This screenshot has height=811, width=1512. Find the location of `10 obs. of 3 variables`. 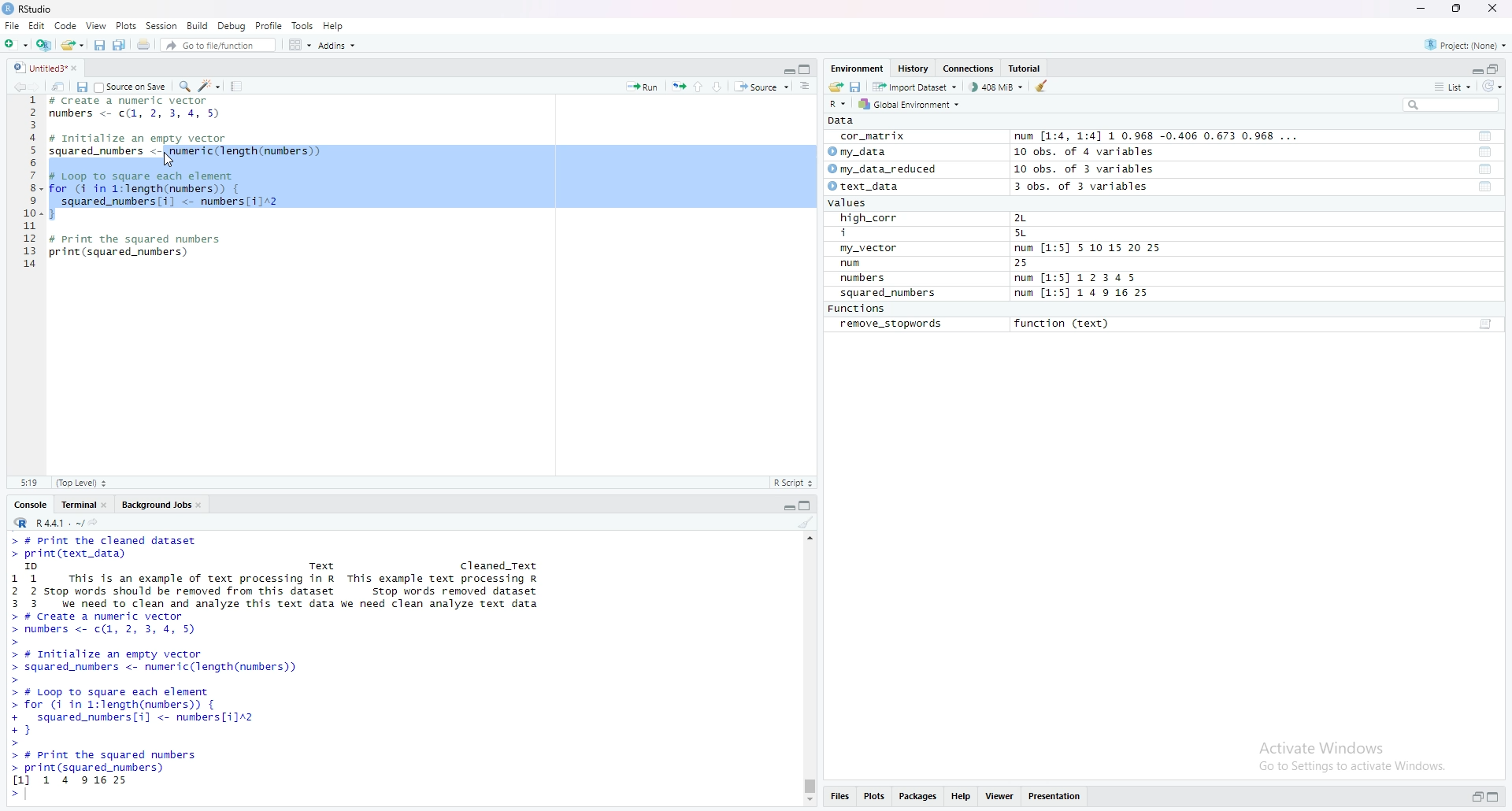

10 obs. of 3 variables is located at coordinates (1084, 169).